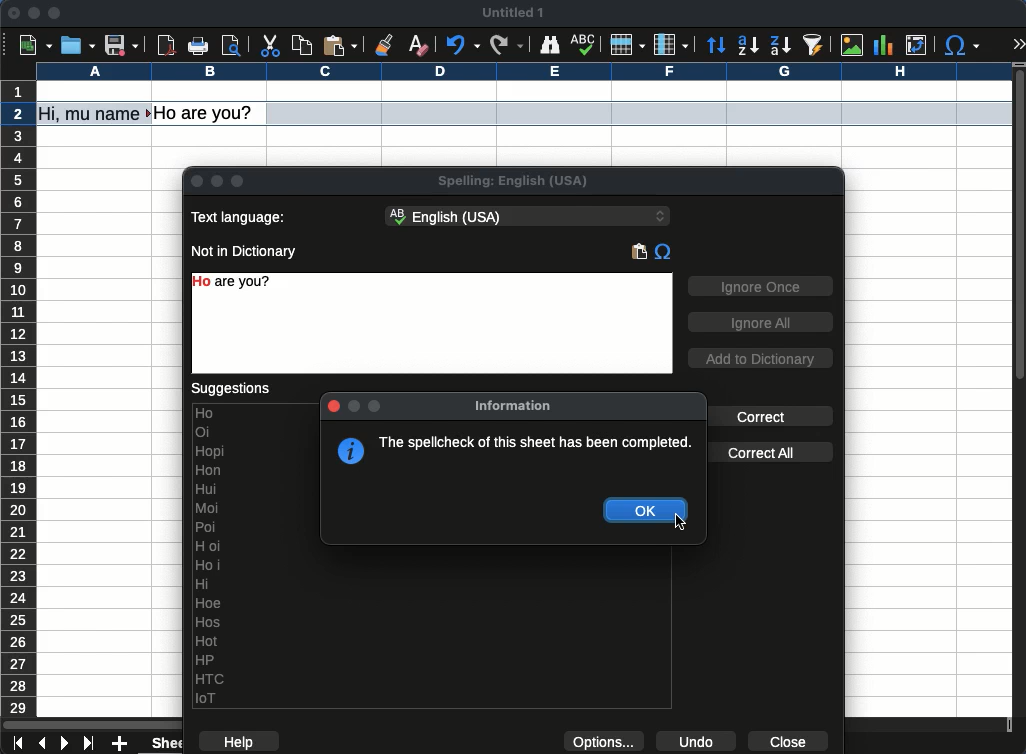 The image size is (1026, 754). I want to click on close, so click(791, 741).